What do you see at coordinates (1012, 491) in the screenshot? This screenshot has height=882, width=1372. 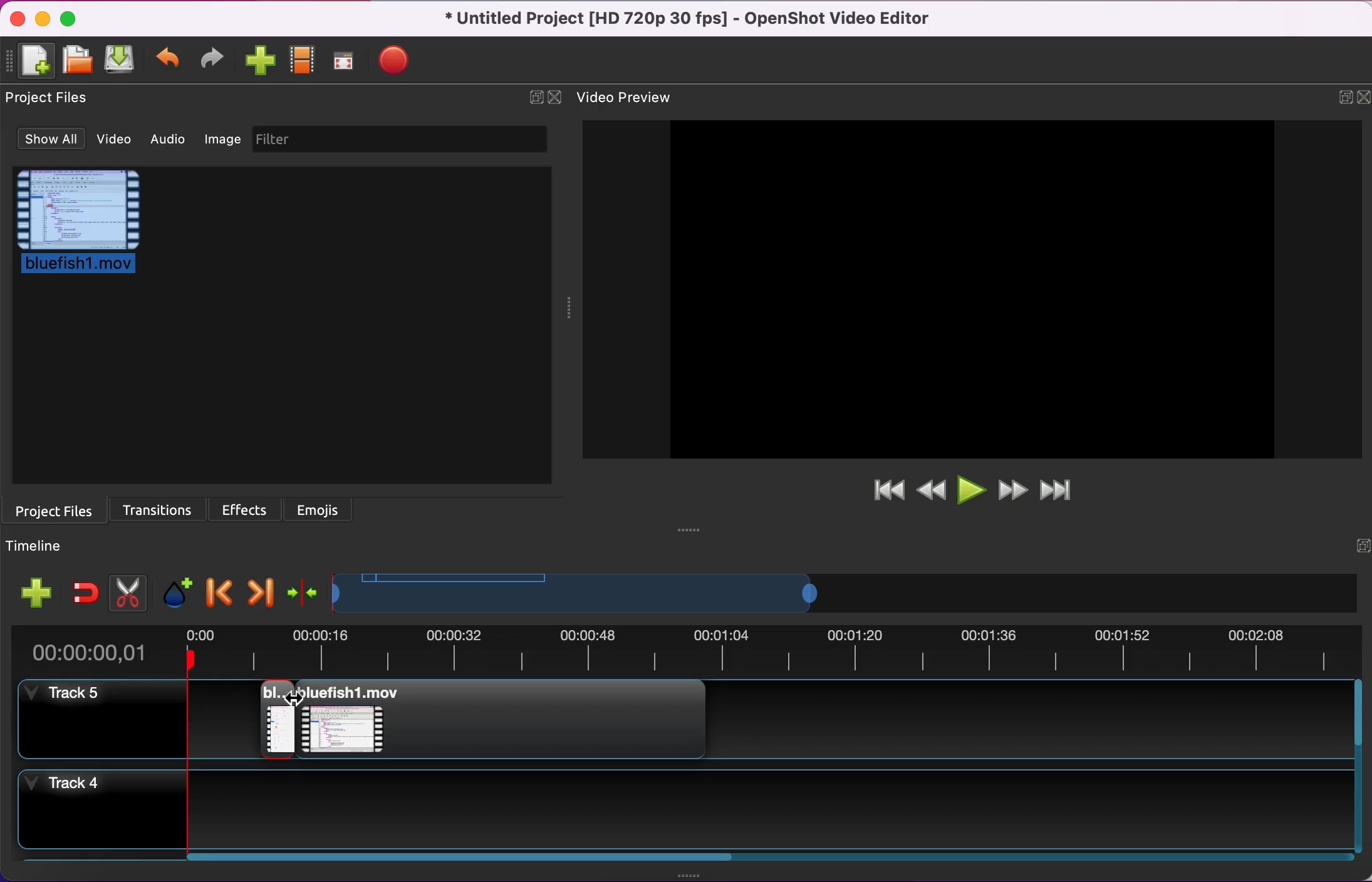 I see `fast forward` at bounding box center [1012, 491].